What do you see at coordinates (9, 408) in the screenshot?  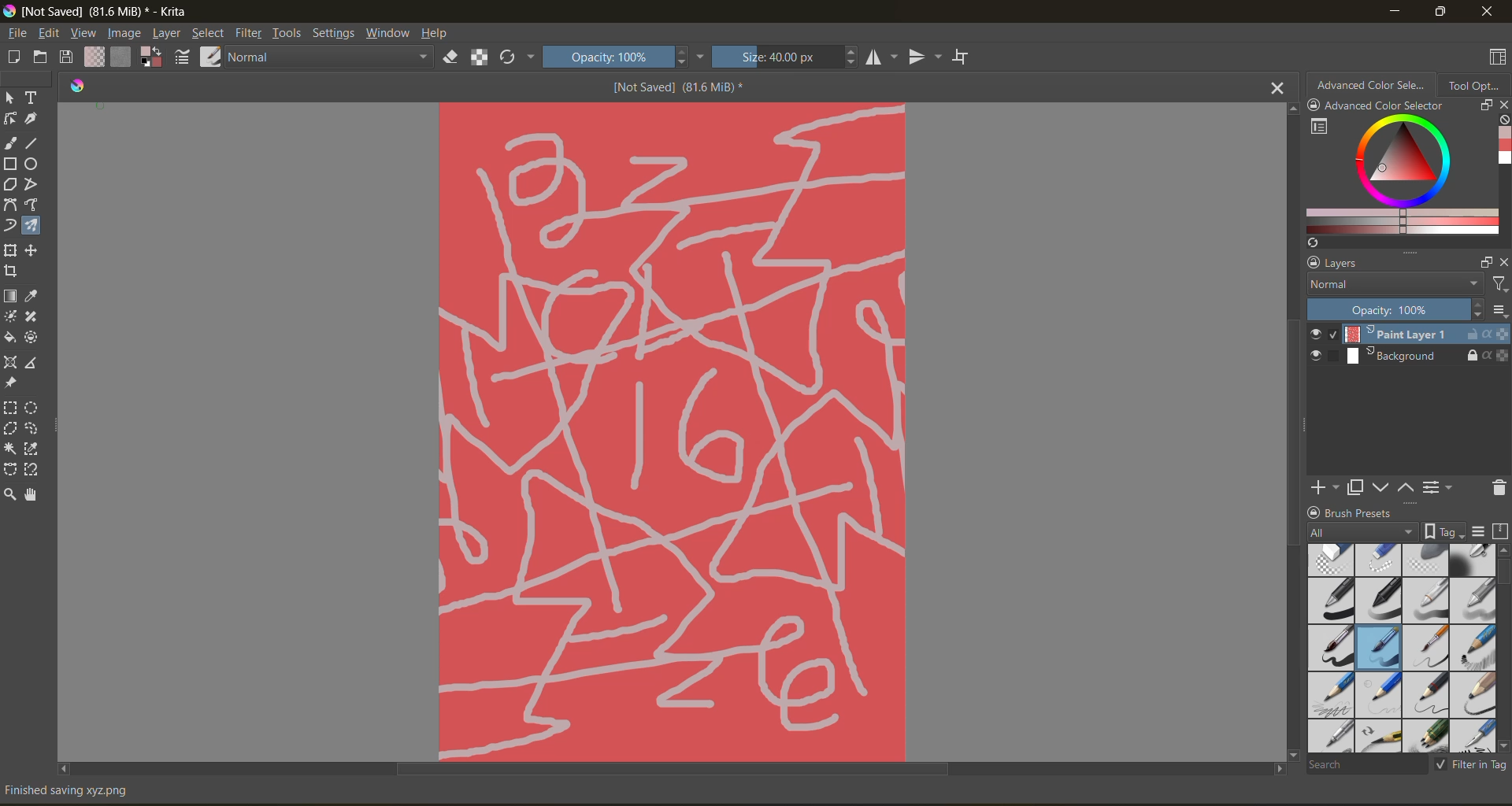 I see `tool` at bounding box center [9, 408].